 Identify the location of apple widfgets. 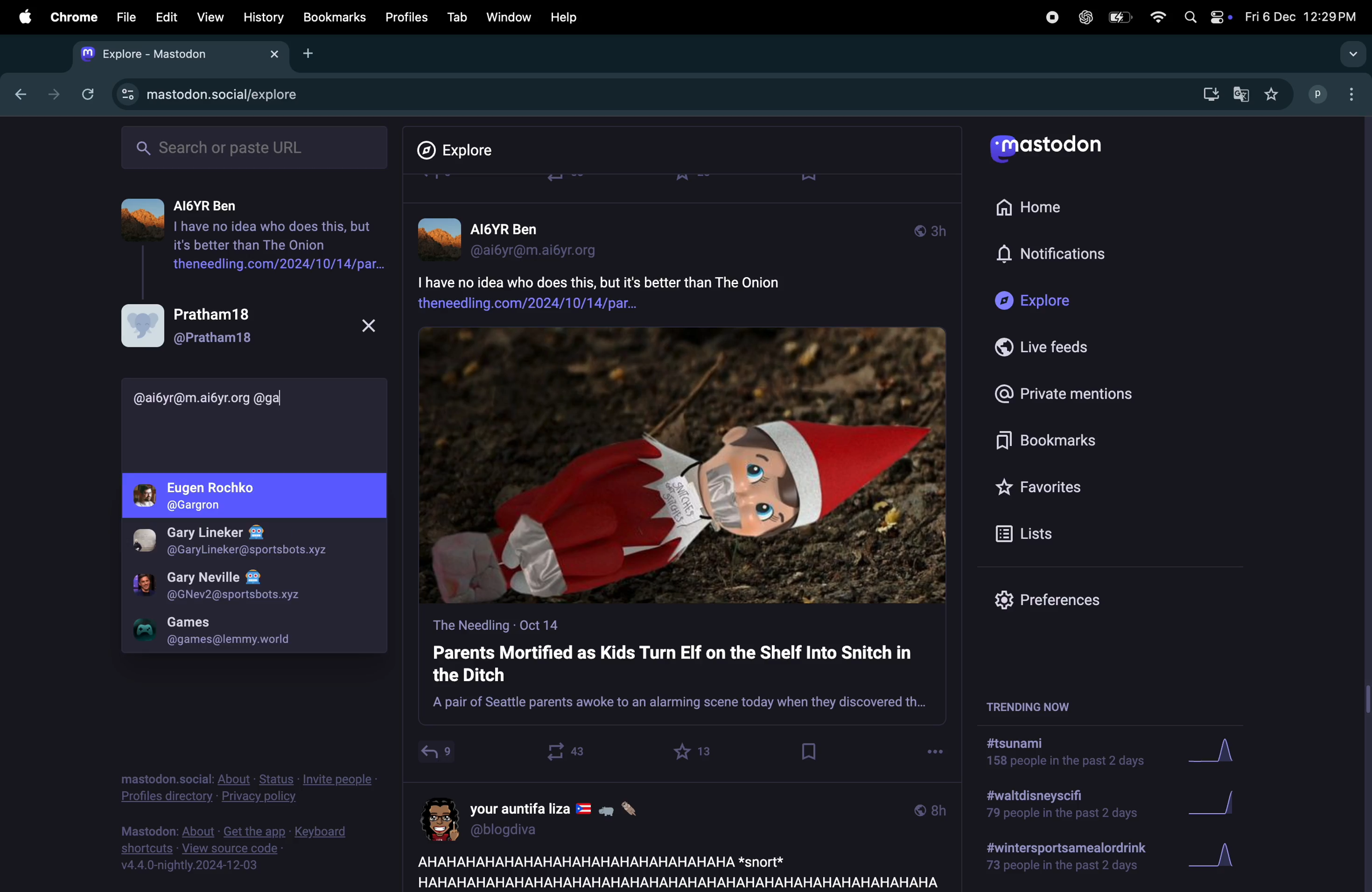
(1205, 14).